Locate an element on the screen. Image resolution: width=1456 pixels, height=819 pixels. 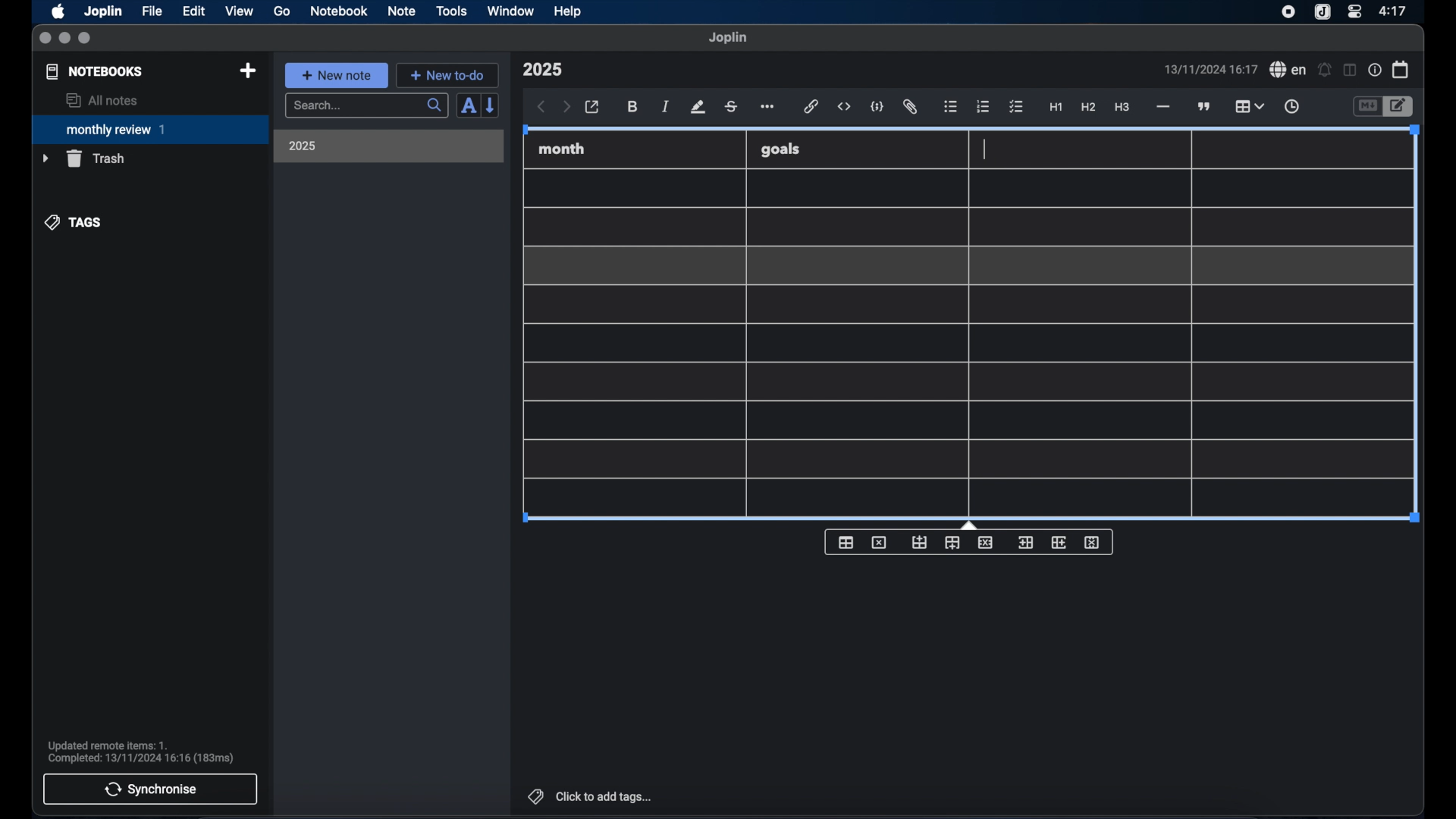
code is located at coordinates (877, 108).